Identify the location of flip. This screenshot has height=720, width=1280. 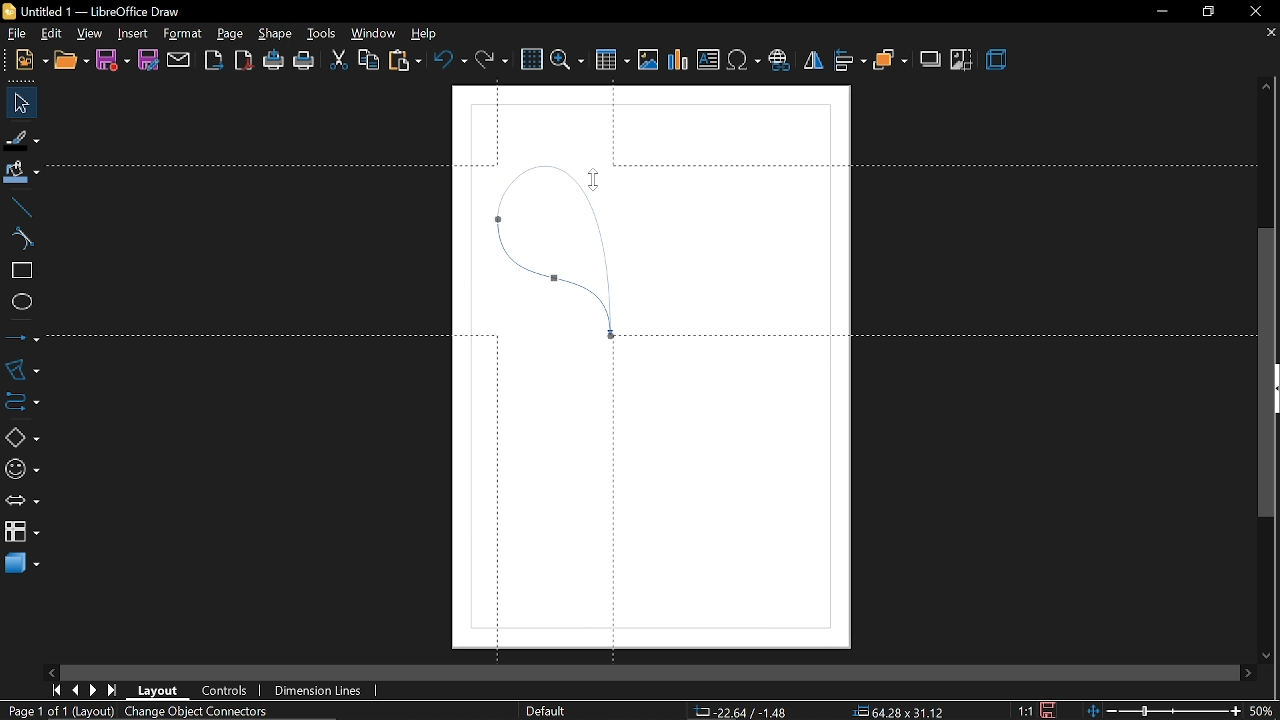
(812, 61).